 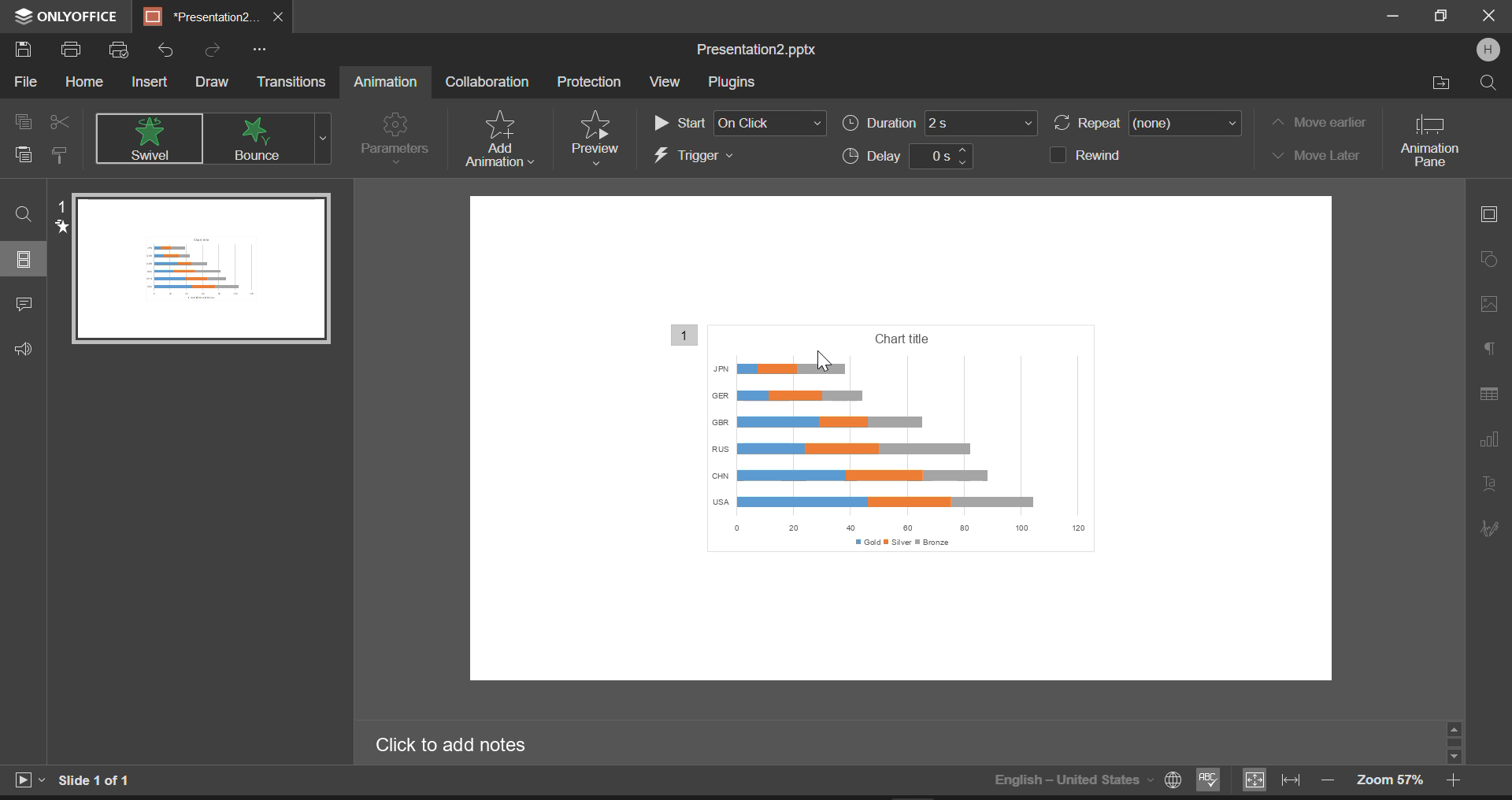 I want to click on Restore Down, so click(x=1395, y=17).